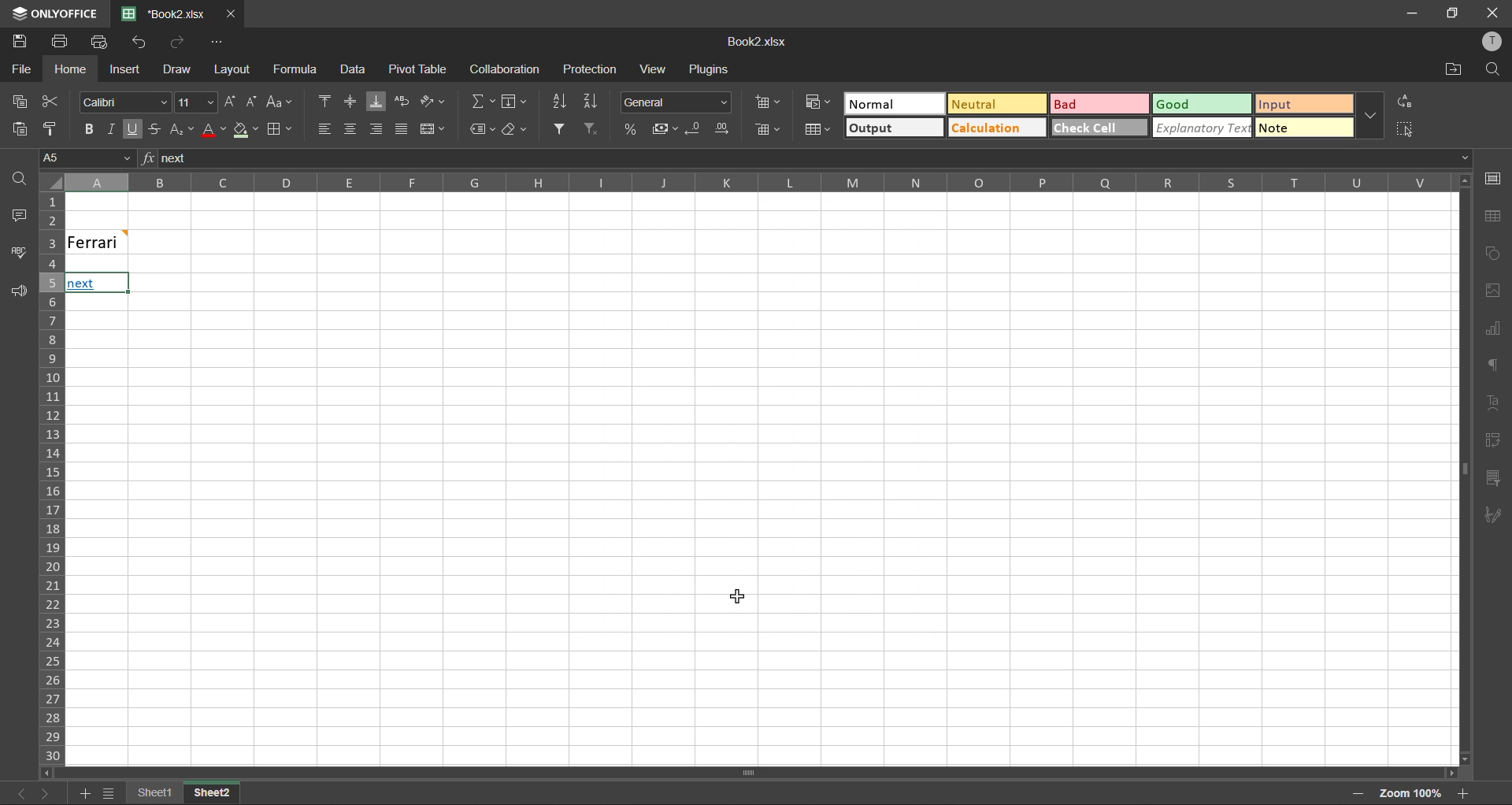  What do you see at coordinates (280, 102) in the screenshot?
I see `change case` at bounding box center [280, 102].